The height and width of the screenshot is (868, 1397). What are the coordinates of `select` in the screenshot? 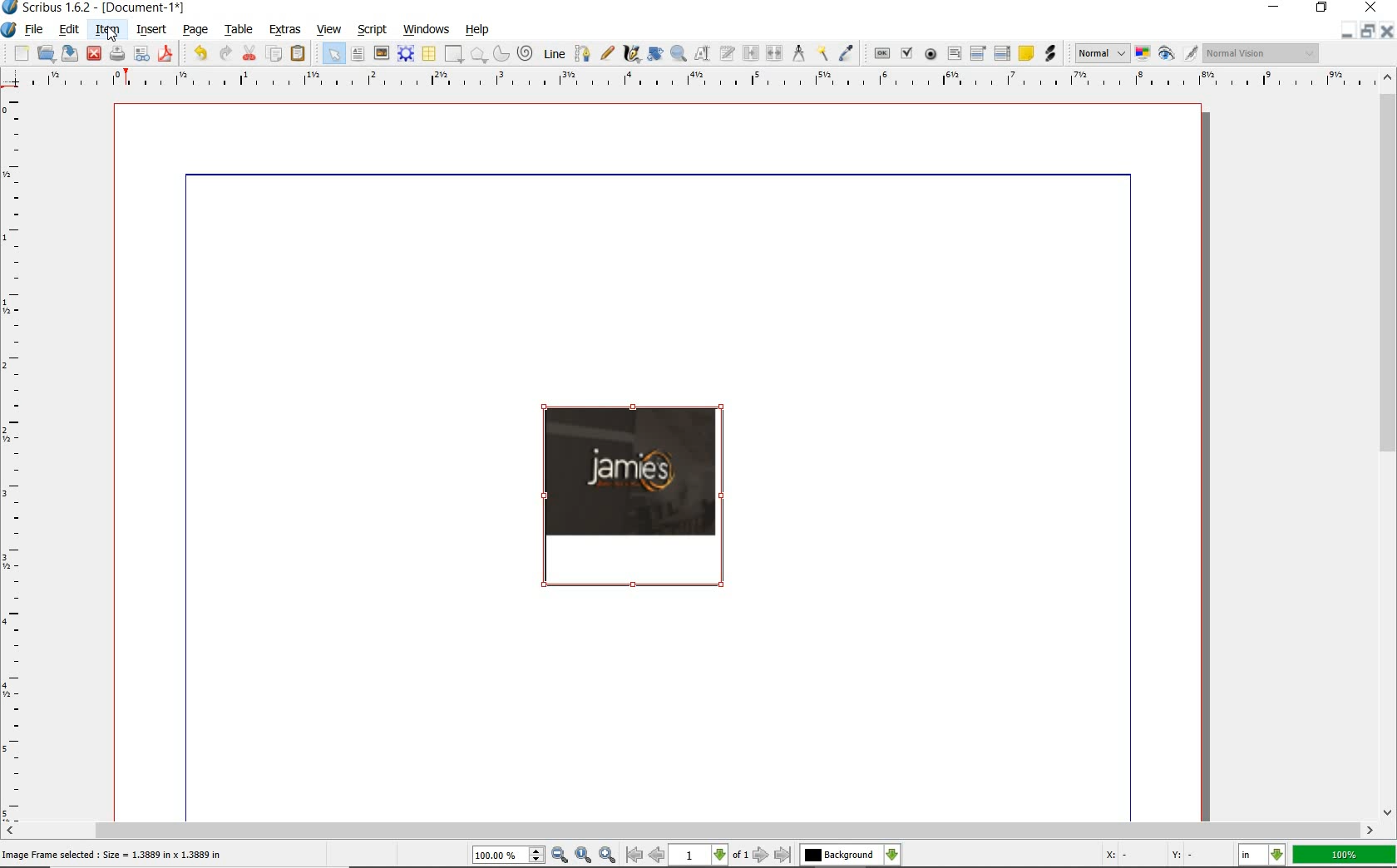 It's located at (333, 54).